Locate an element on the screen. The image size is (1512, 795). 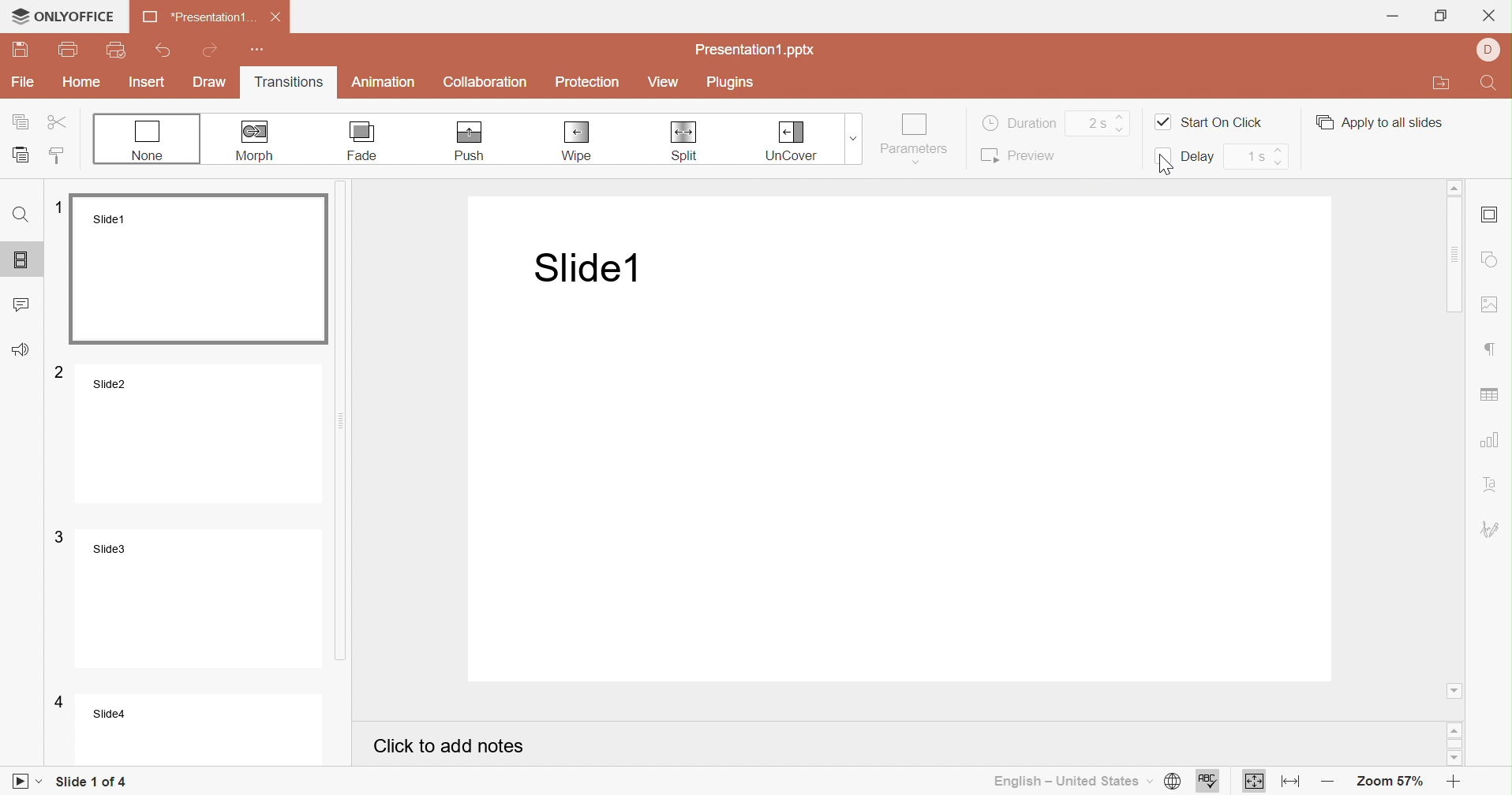
Close is located at coordinates (1491, 15).